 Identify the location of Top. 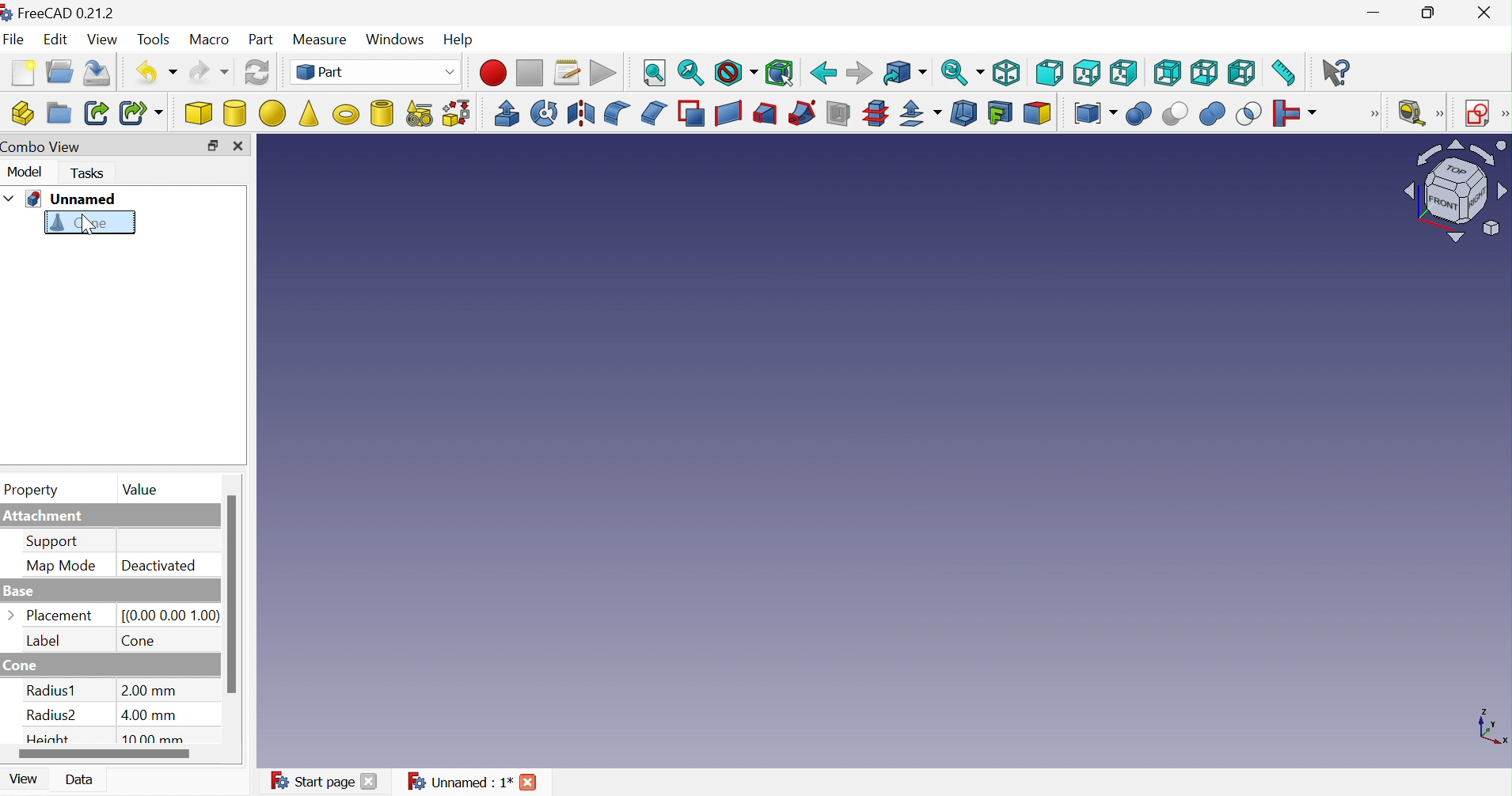
(1089, 74).